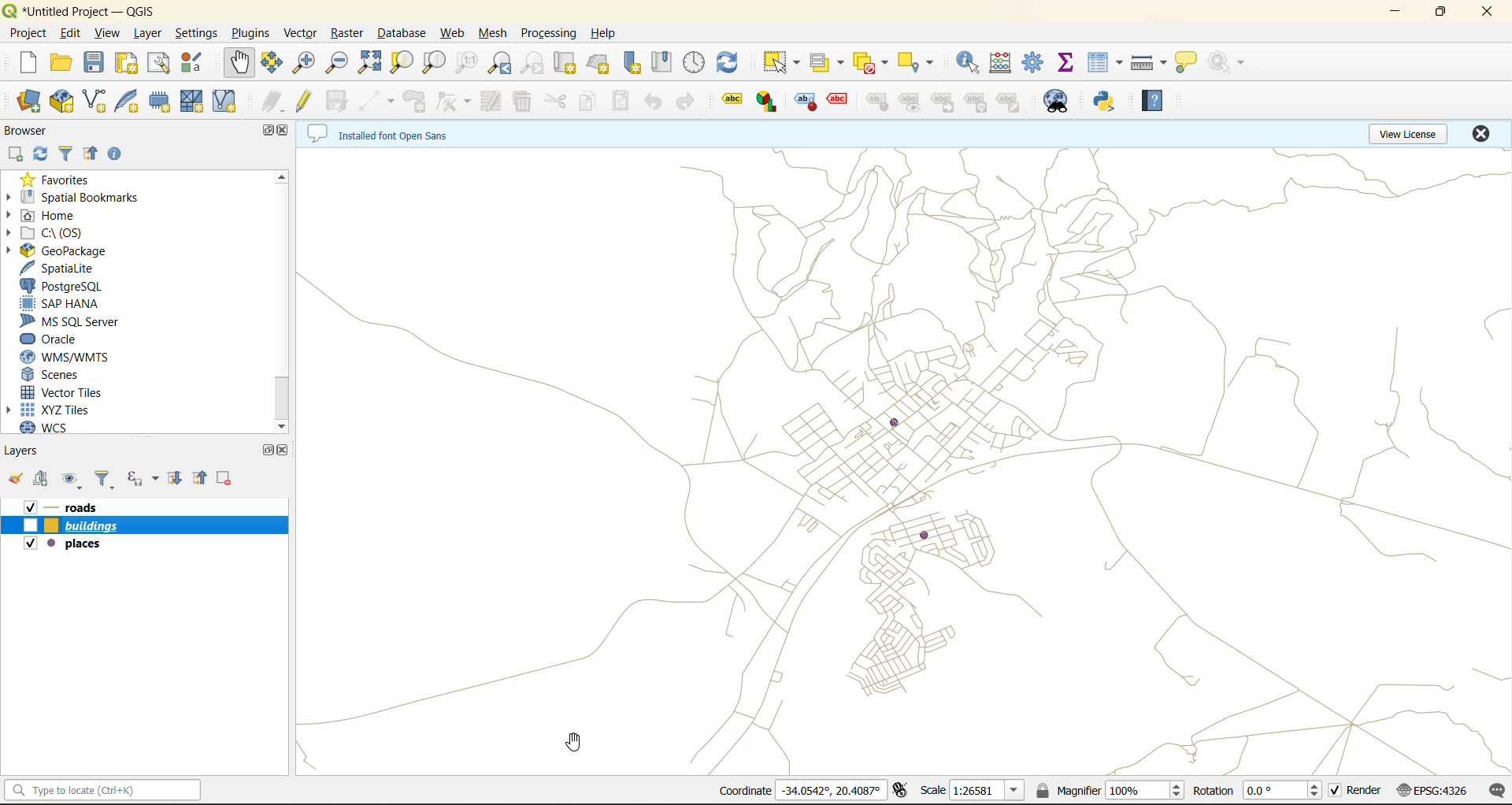 The width and height of the screenshot is (1512, 805). Describe the element at coordinates (224, 477) in the screenshot. I see `remove` at that location.